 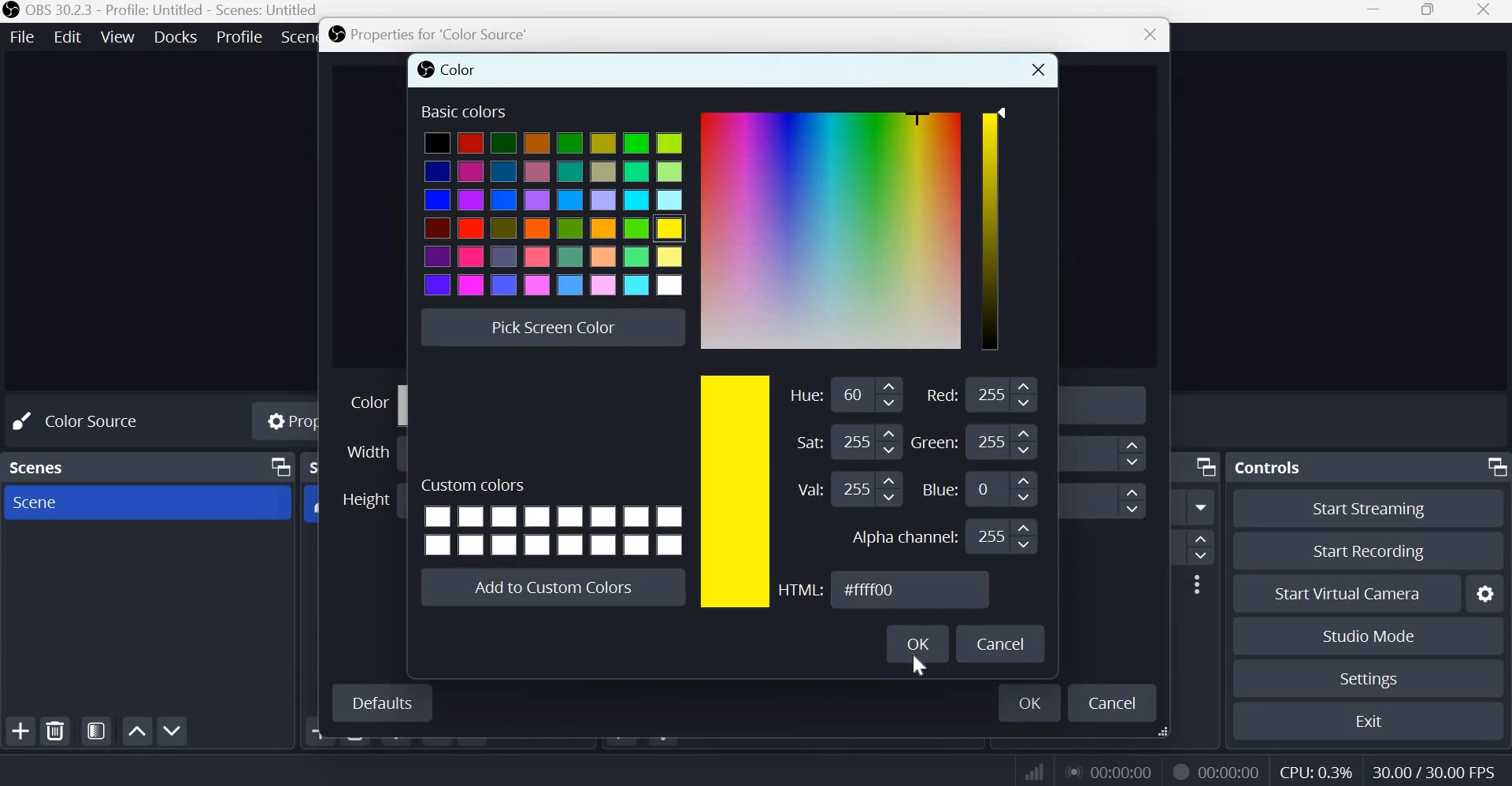 What do you see at coordinates (1031, 700) in the screenshot?
I see `ok` at bounding box center [1031, 700].